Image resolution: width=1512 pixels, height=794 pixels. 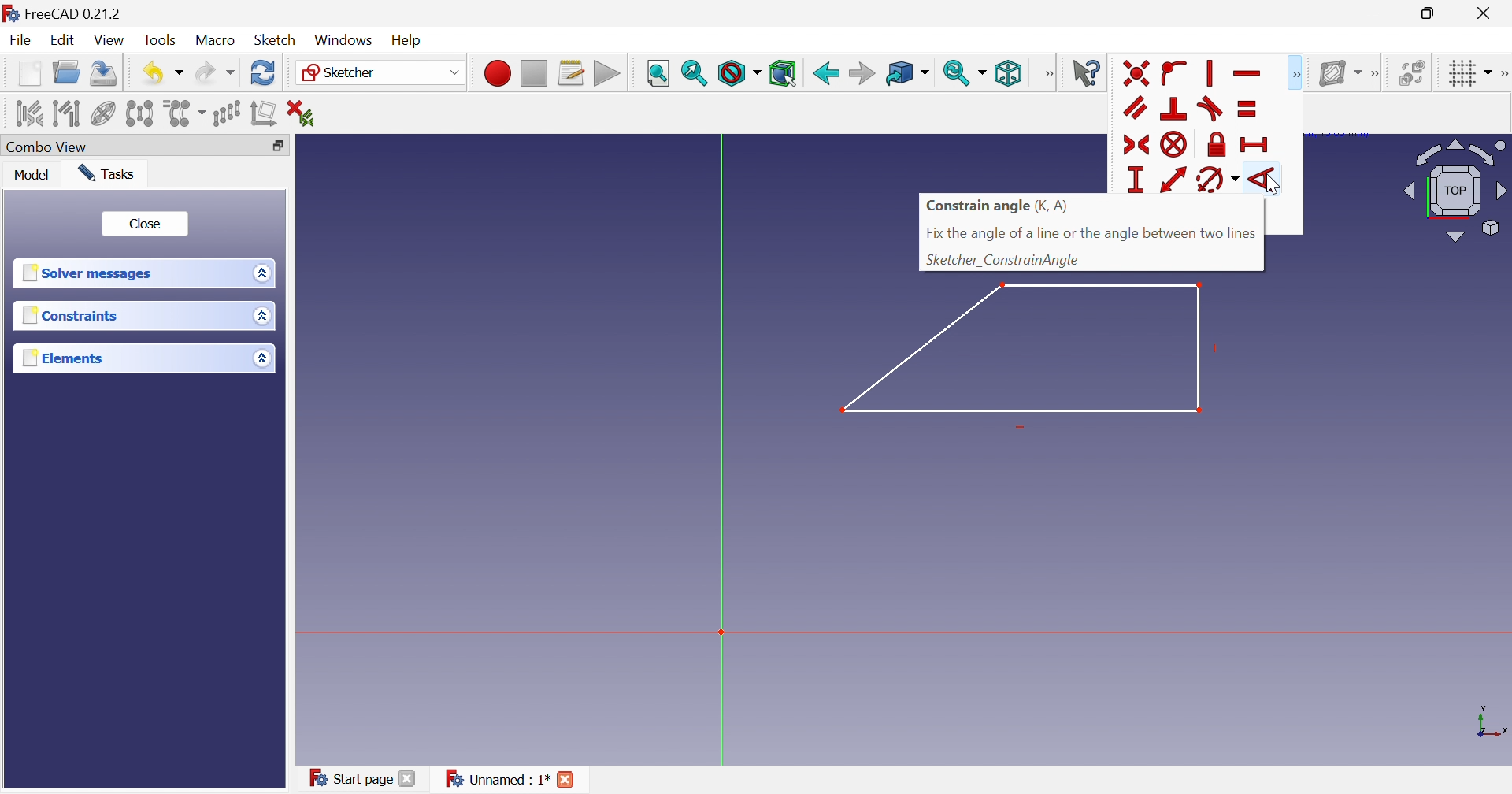 What do you see at coordinates (409, 781) in the screenshot?
I see `Close` at bounding box center [409, 781].